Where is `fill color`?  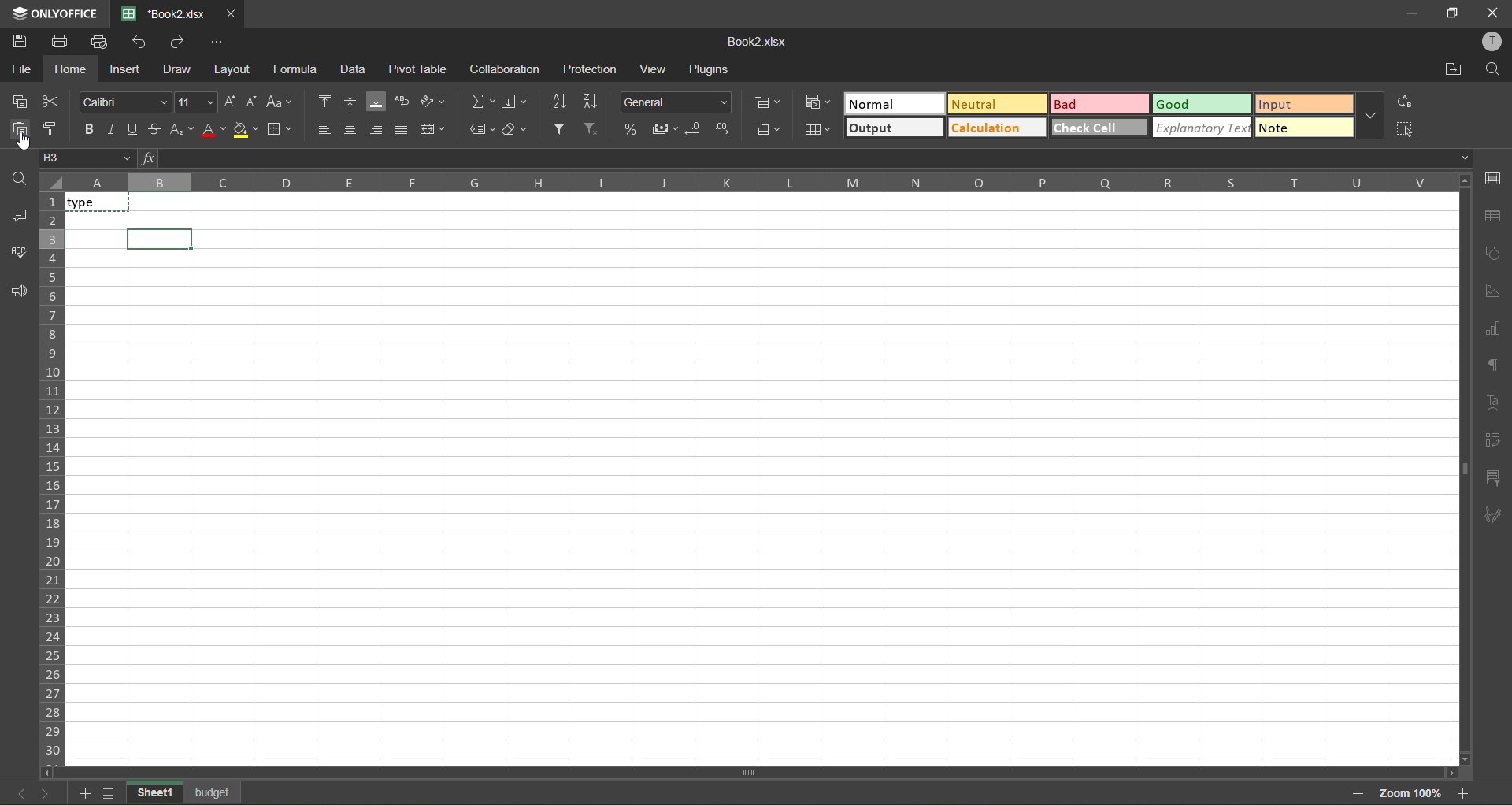
fill color is located at coordinates (246, 129).